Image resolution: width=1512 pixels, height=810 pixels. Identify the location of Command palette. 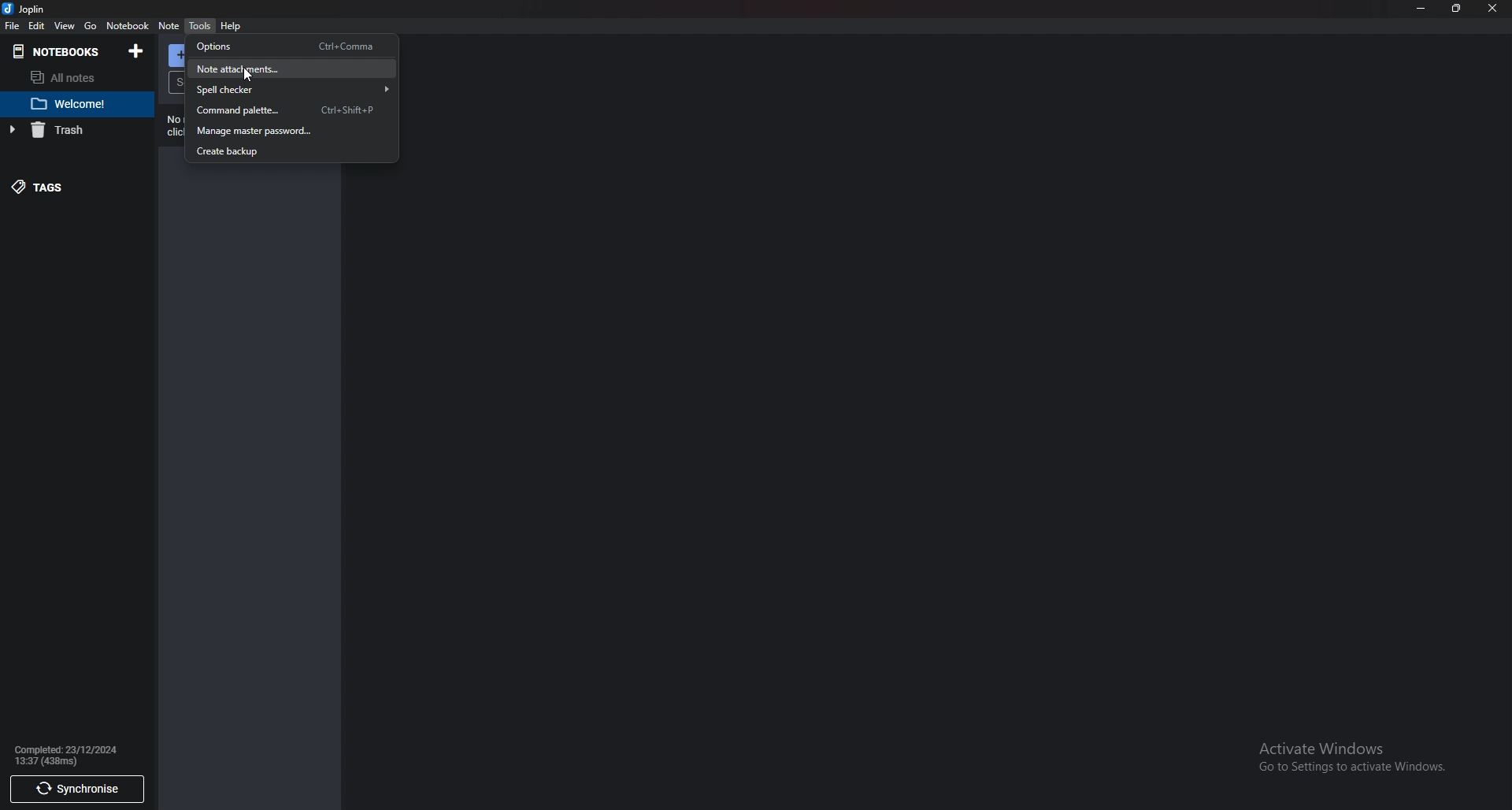
(289, 109).